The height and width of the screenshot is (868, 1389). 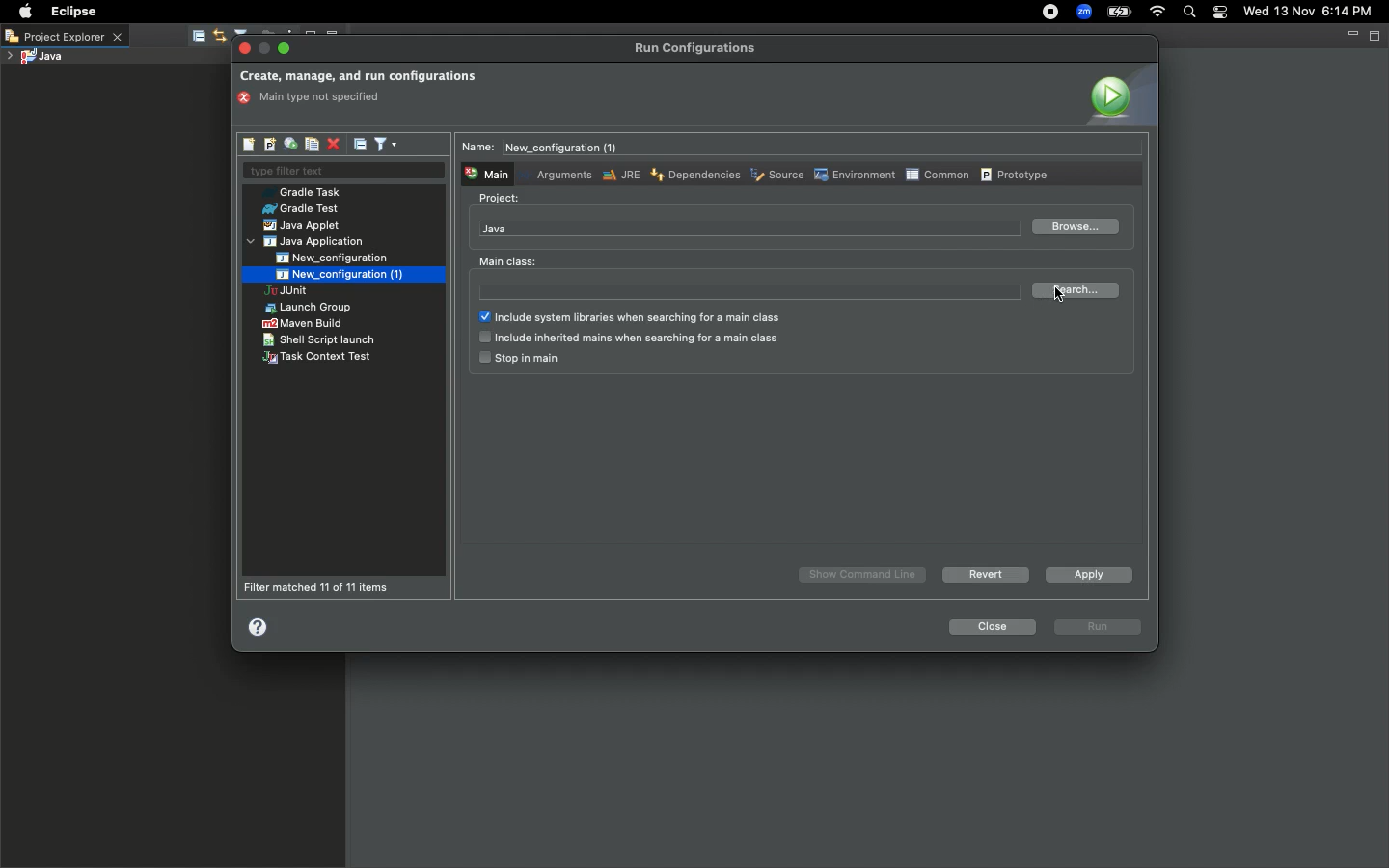 I want to click on Common, so click(x=937, y=174).